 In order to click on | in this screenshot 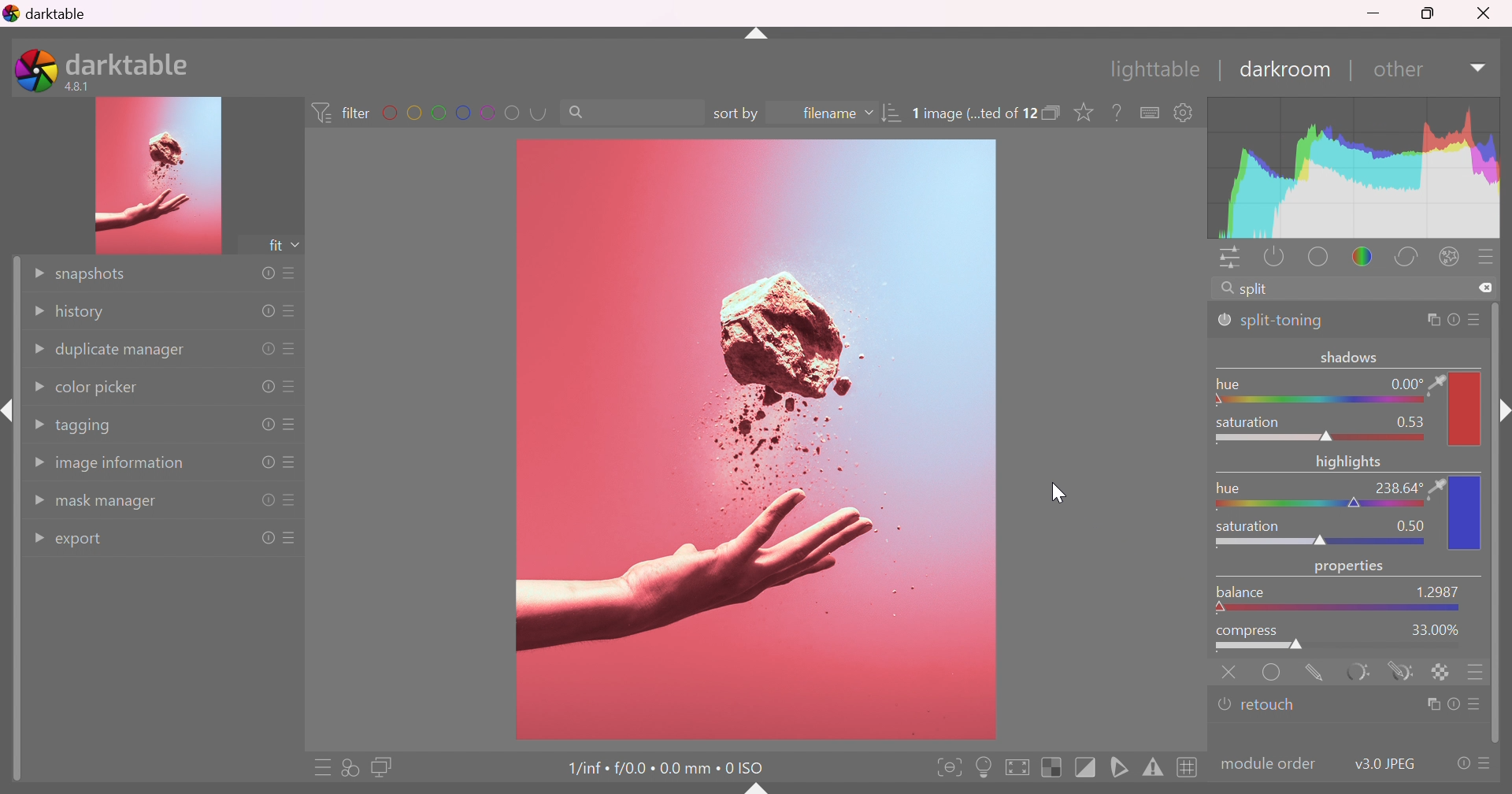, I will do `click(1354, 70)`.